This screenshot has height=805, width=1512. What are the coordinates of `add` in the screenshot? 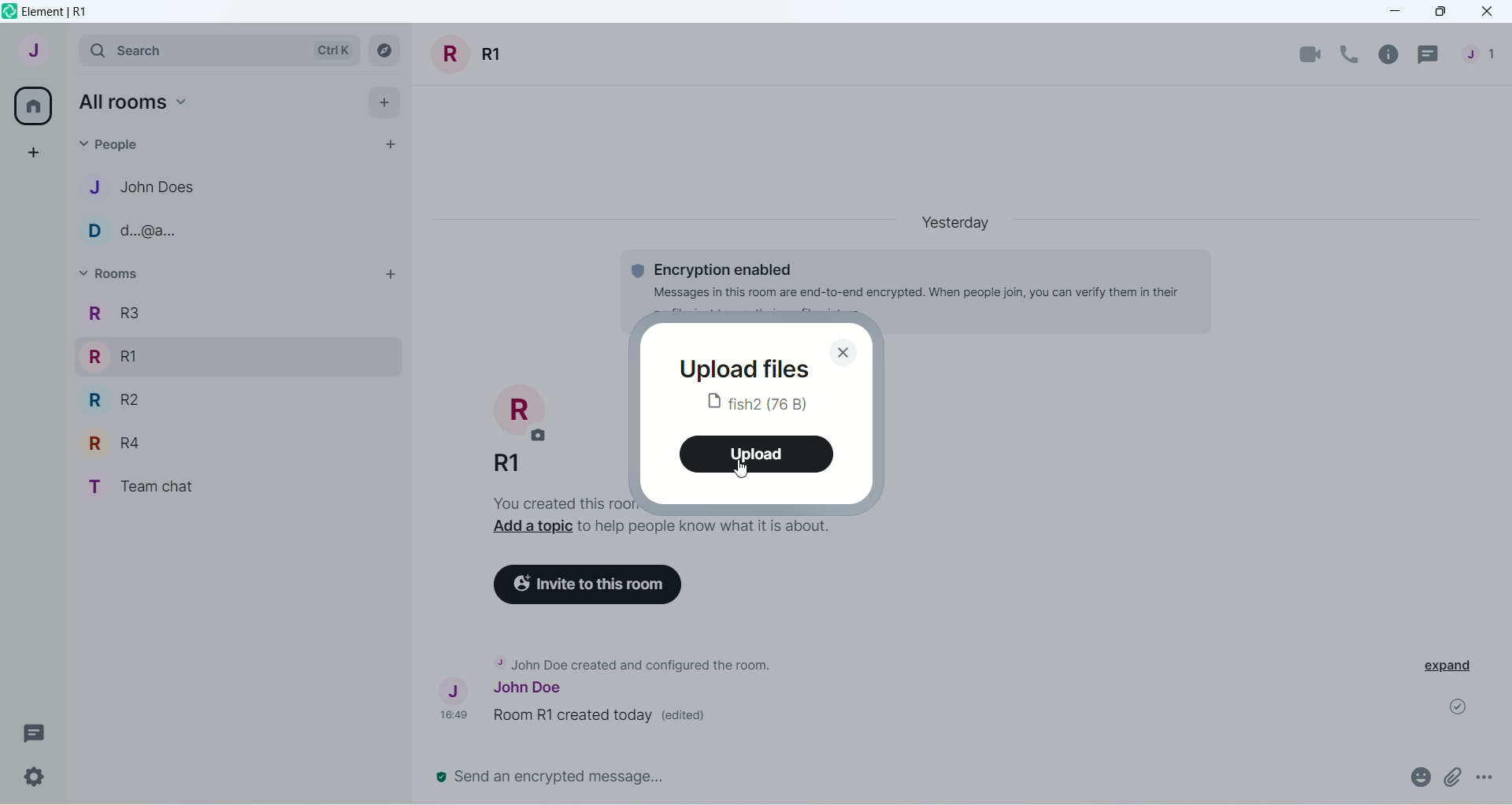 It's located at (384, 99).